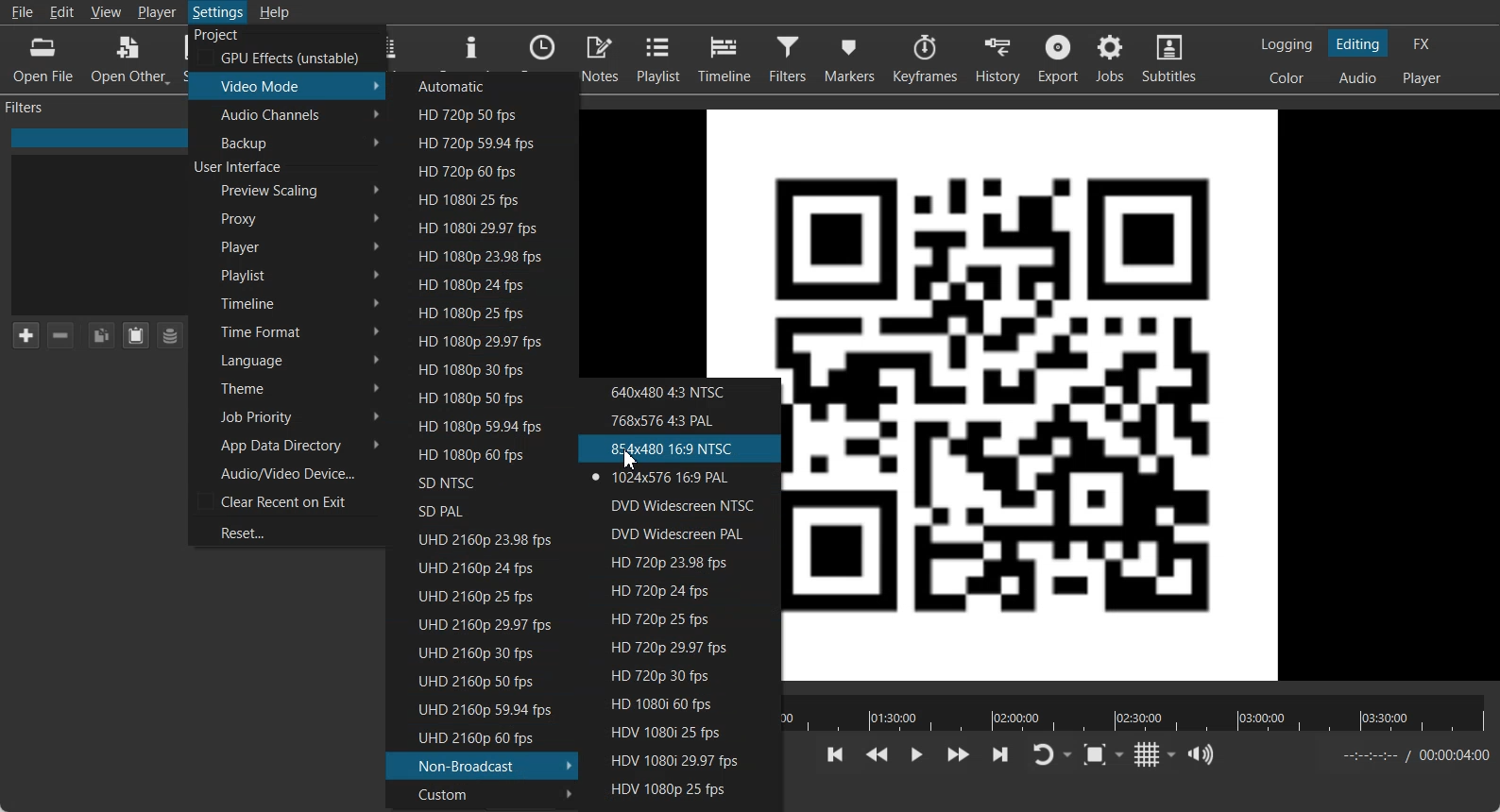 The image size is (1500, 812). Describe the element at coordinates (685, 618) in the screenshot. I see `HD 720p 25 fps` at that location.